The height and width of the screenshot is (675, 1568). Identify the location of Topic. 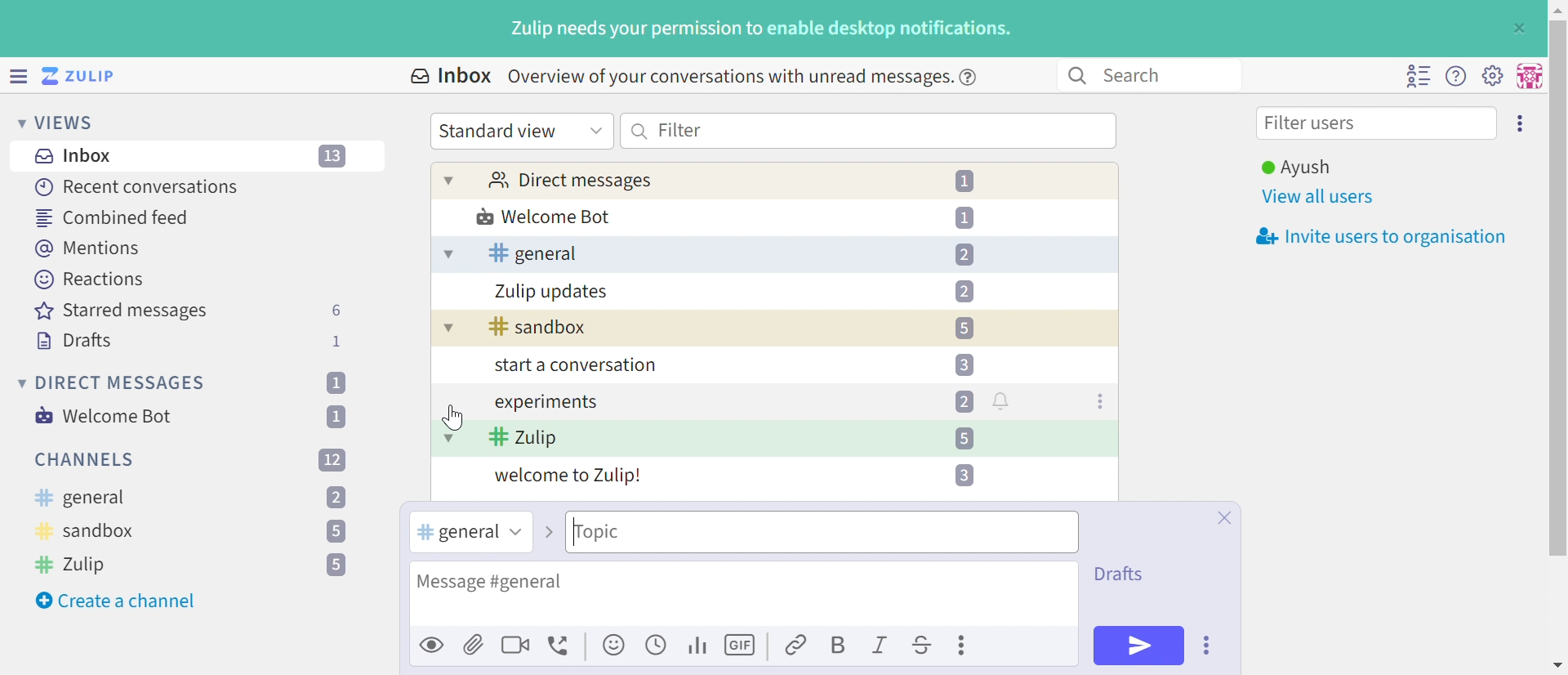
(684, 532).